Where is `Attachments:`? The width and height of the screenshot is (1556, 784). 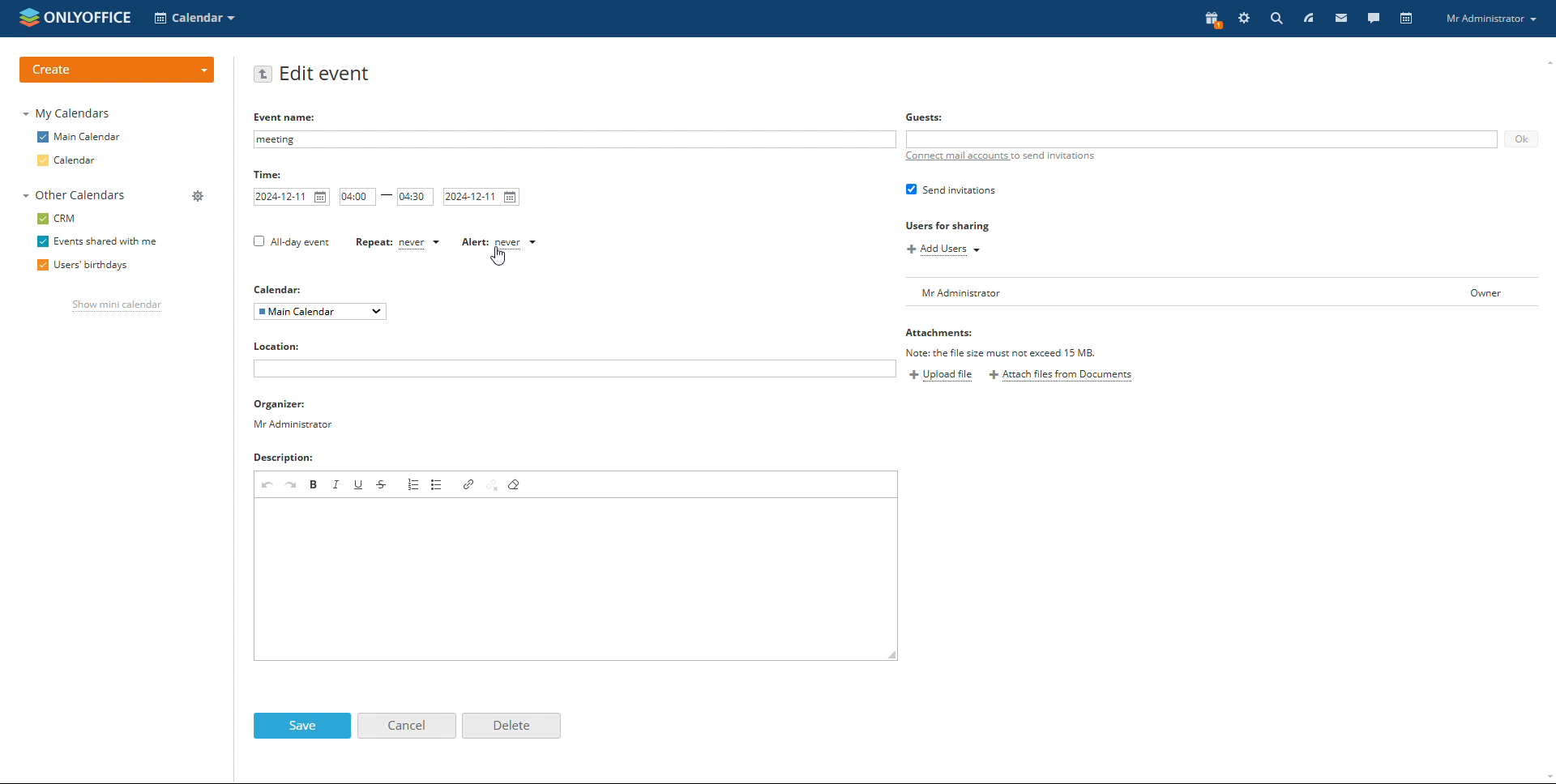
Attachments: is located at coordinates (946, 334).